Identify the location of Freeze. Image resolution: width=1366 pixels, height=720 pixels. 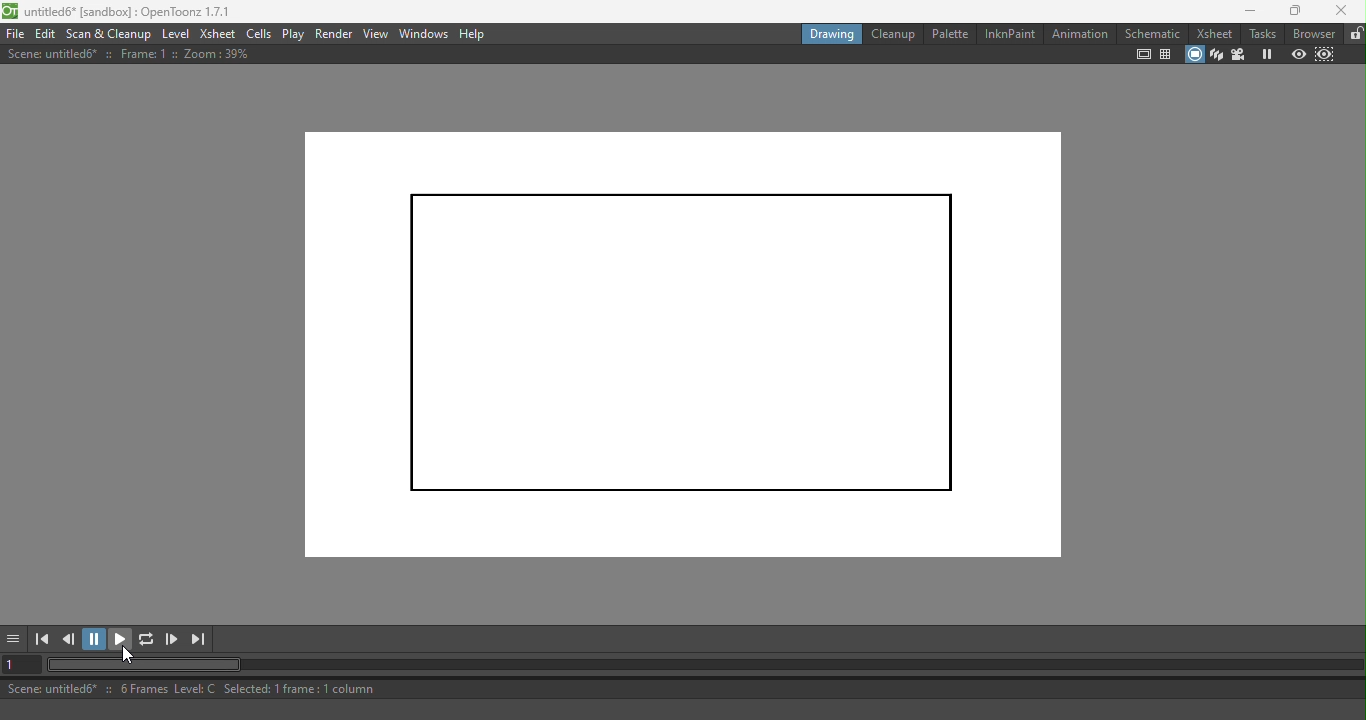
(1269, 54).